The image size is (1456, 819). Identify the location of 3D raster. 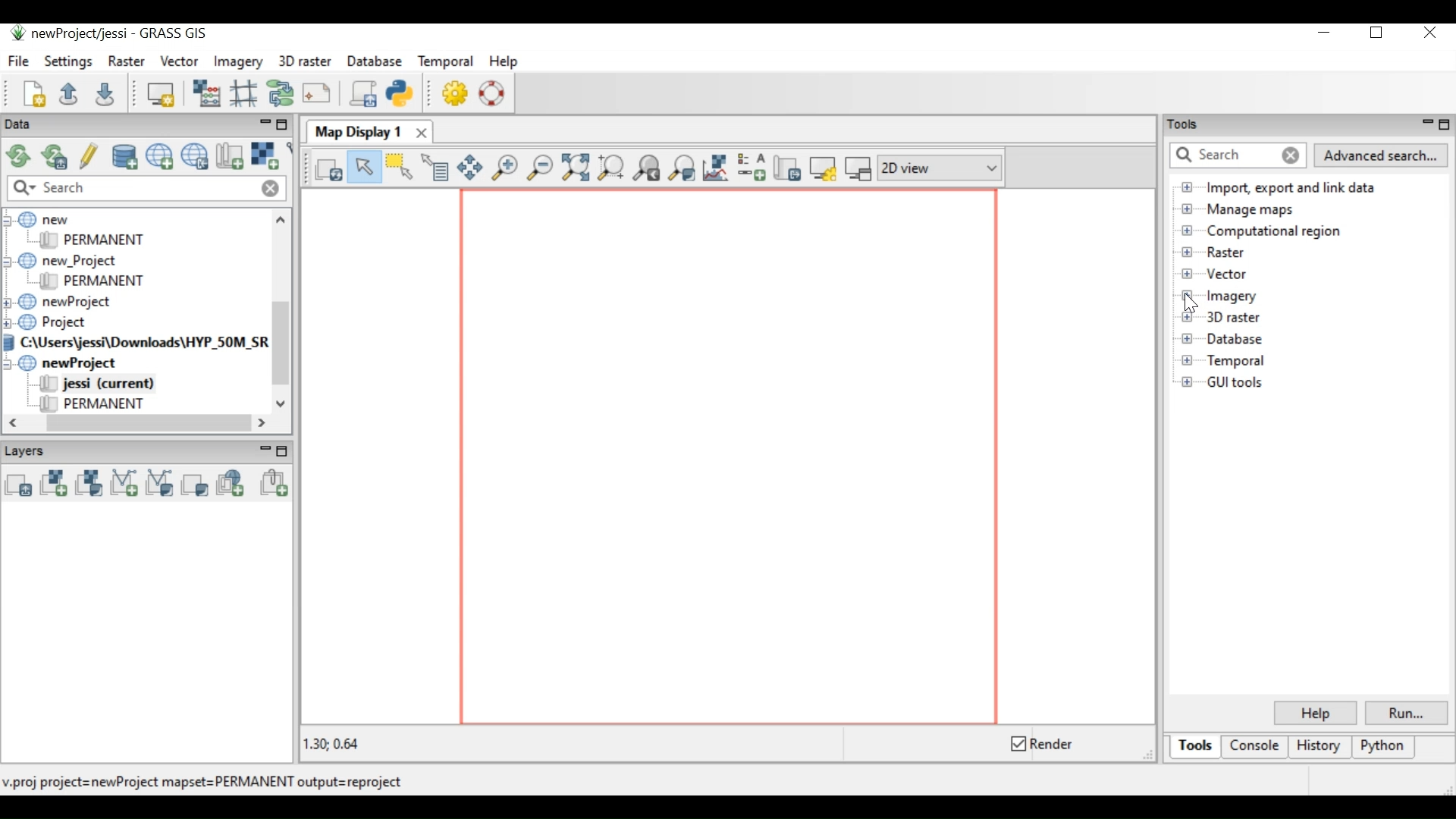
(304, 61).